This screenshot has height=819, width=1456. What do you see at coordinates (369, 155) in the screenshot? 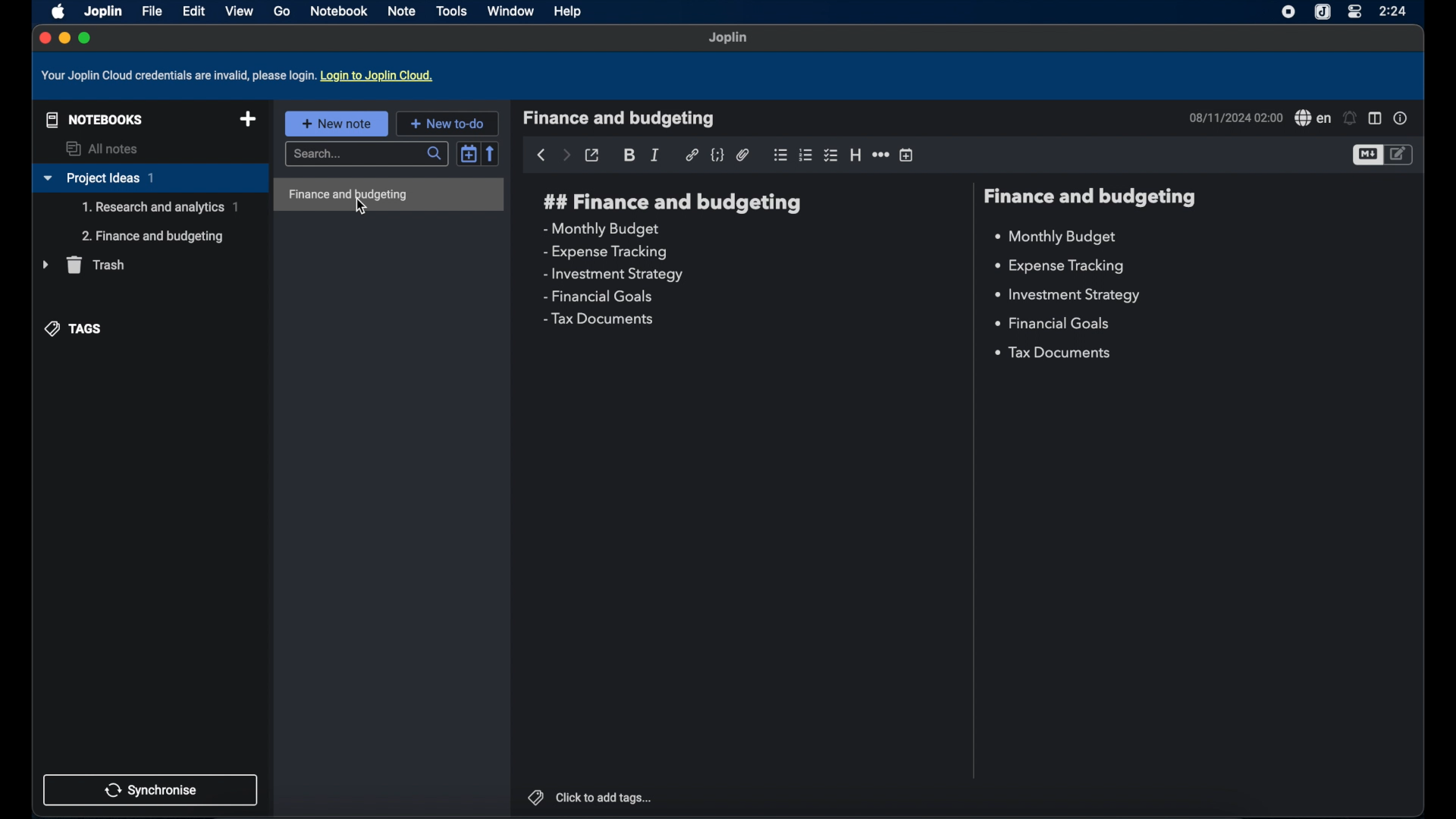
I see `search bar` at bounding box center [369, 155].